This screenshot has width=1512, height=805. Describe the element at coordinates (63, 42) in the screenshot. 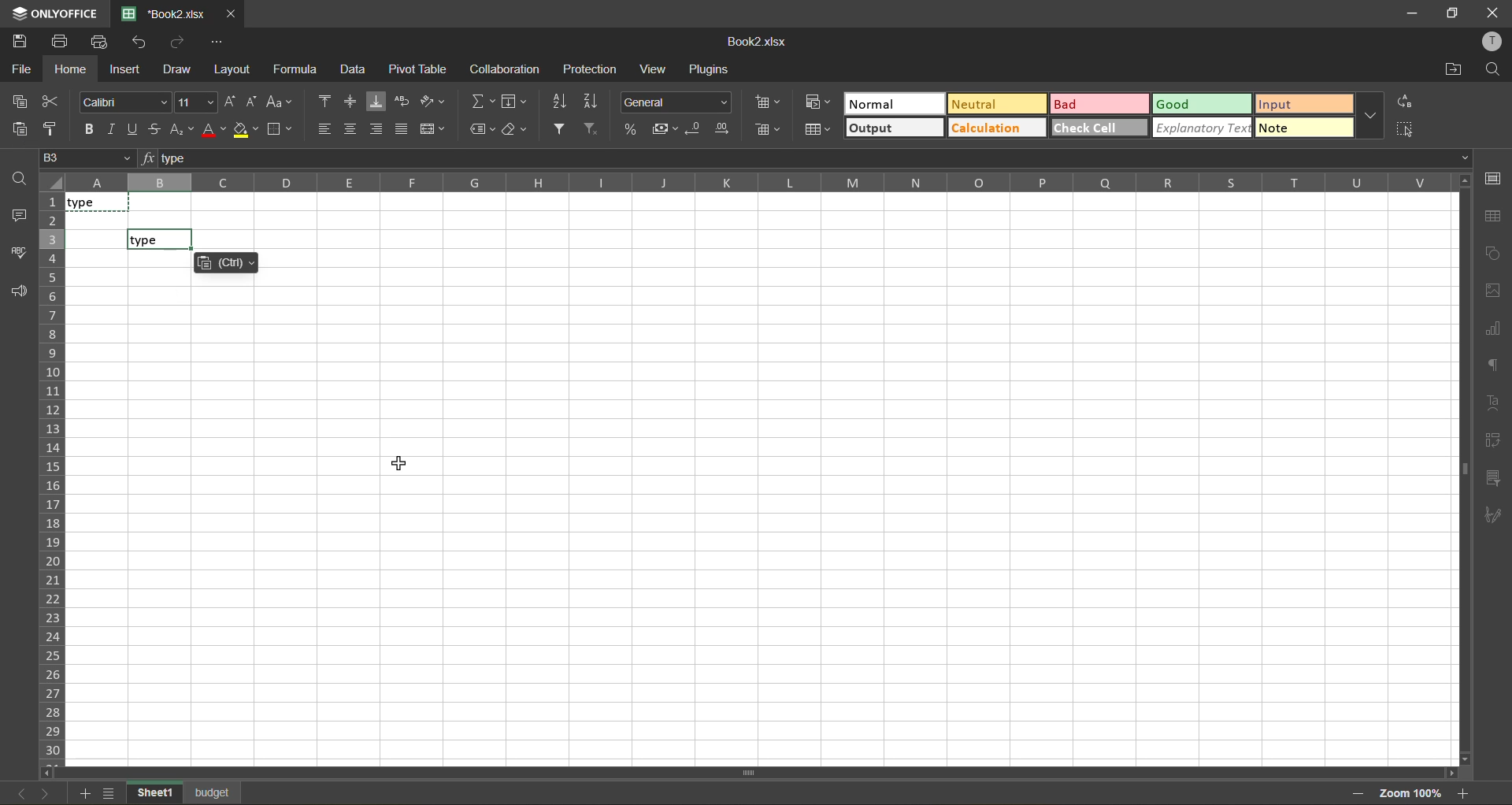

I see `print` at that location.